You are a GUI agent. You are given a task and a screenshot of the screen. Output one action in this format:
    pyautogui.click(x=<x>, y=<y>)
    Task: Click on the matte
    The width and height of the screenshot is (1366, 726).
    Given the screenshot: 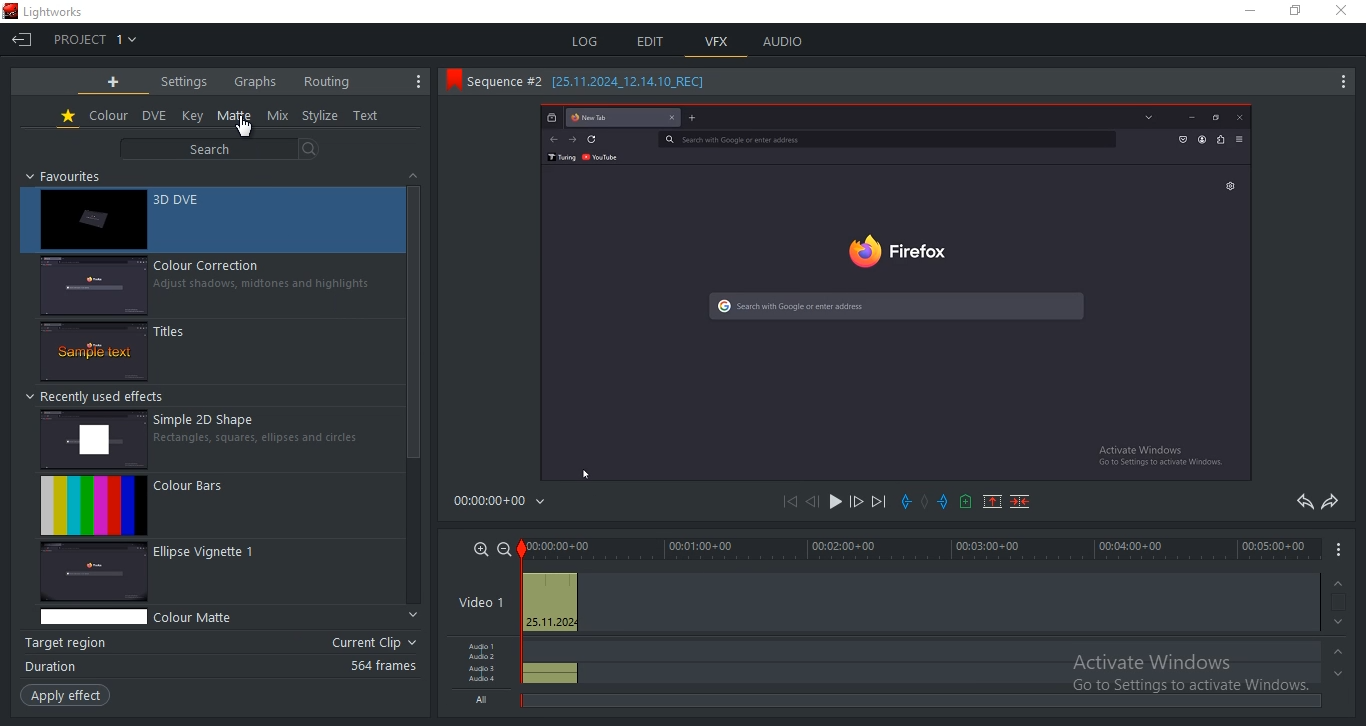 What is the action you would take?
    pyautogui.click(x=235, y=116)
    